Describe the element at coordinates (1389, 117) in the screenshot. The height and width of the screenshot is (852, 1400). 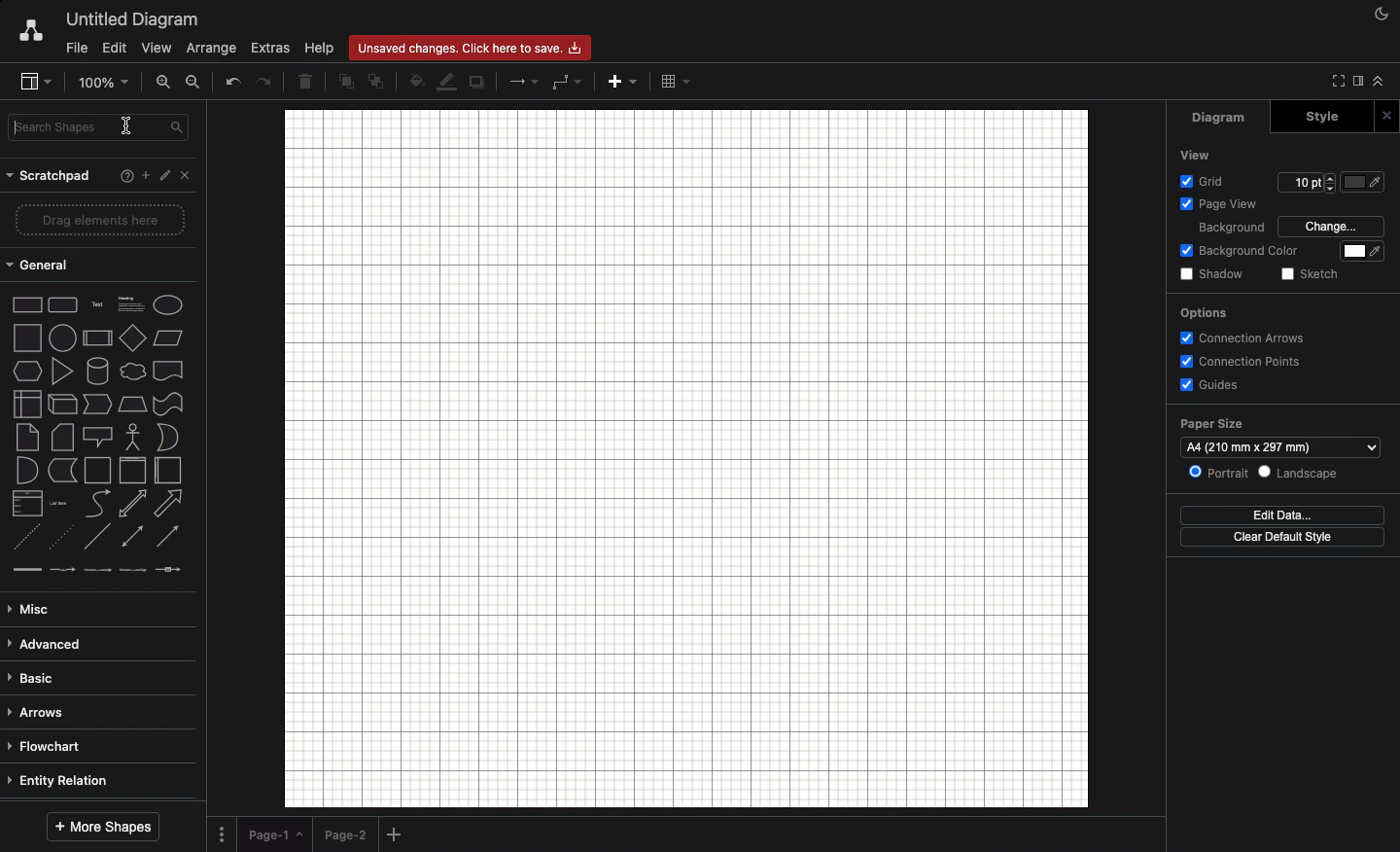
I see `Close` at that location.